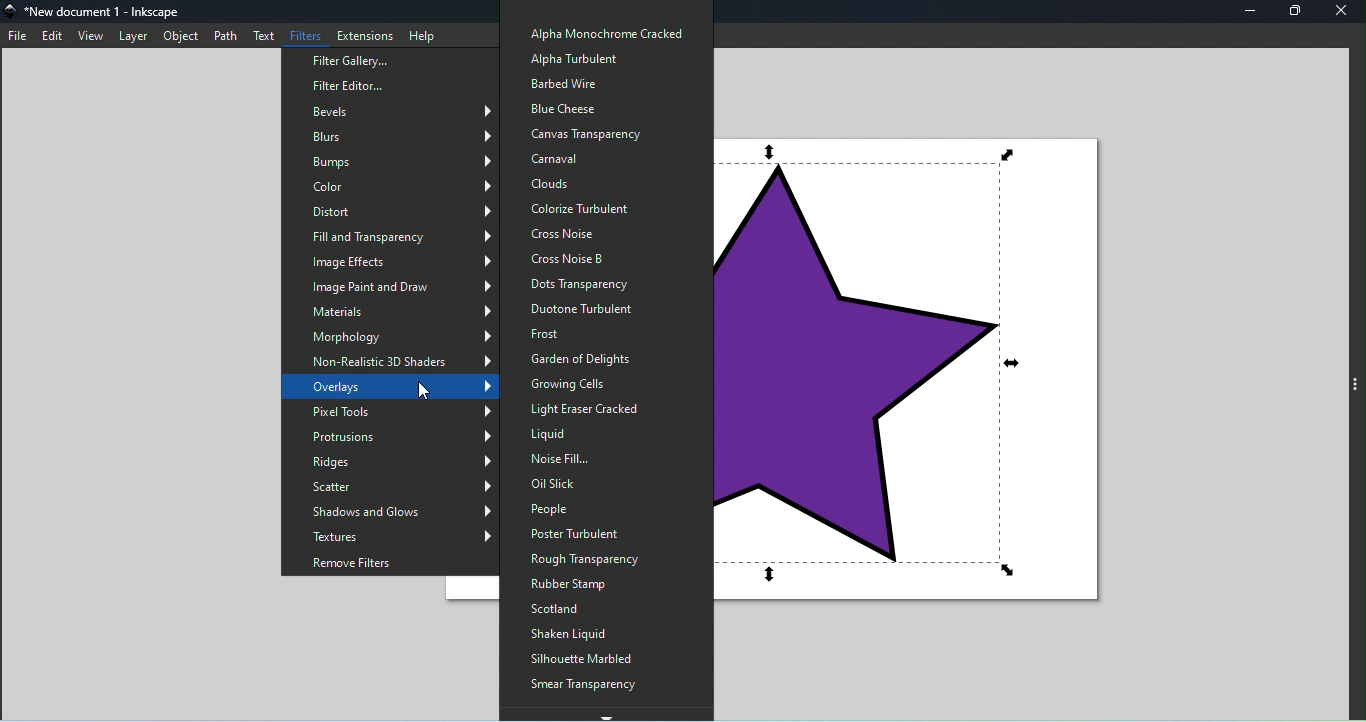 Image resolution: width=1366 pixels, height=722 pixels. What do you see at coordinates (396, 387) in the screenshot?
I see `Overlays` at bounding box center [396, 387].